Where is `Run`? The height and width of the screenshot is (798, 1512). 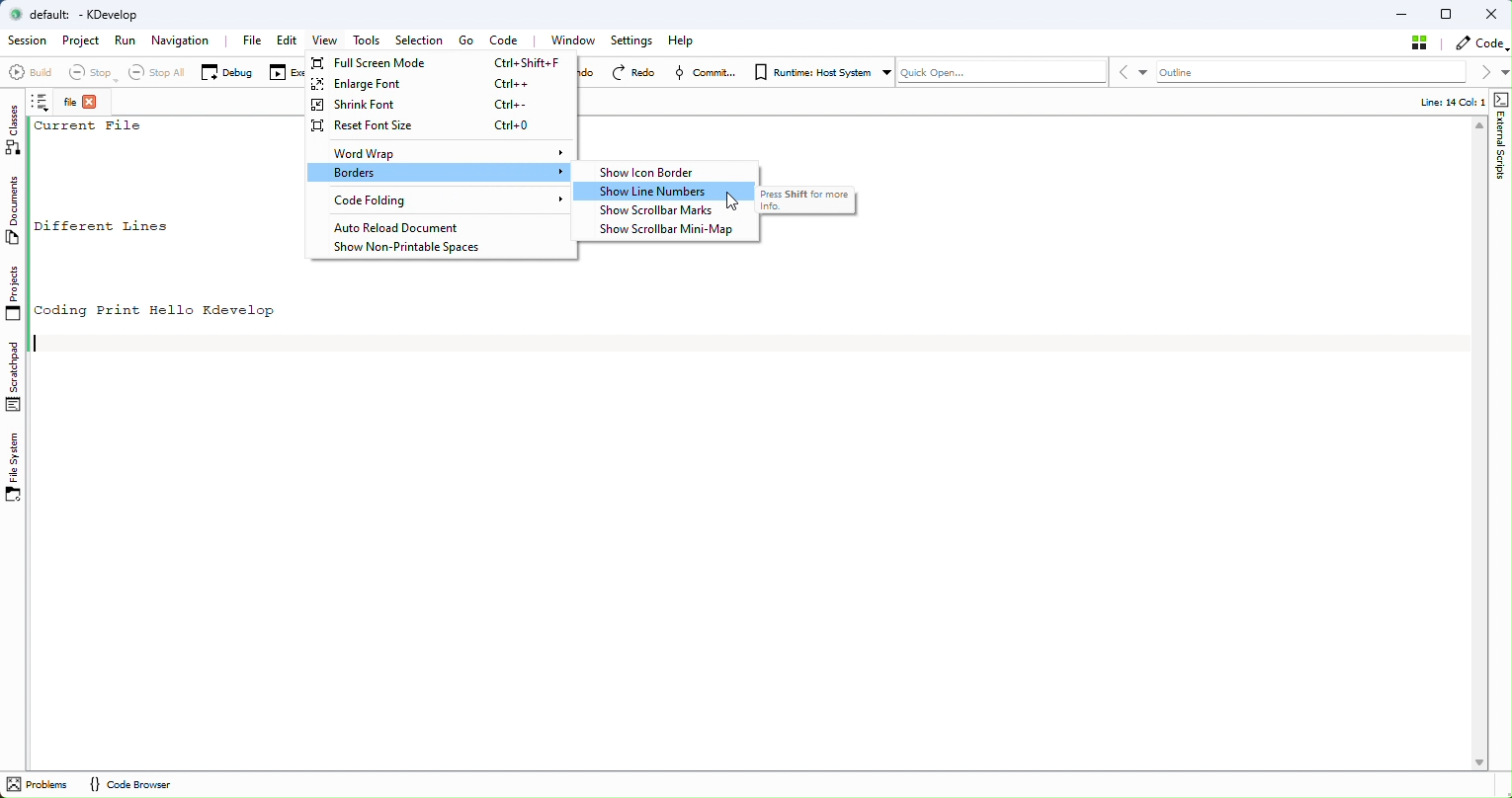 Run is located at coordinates (126, 41).